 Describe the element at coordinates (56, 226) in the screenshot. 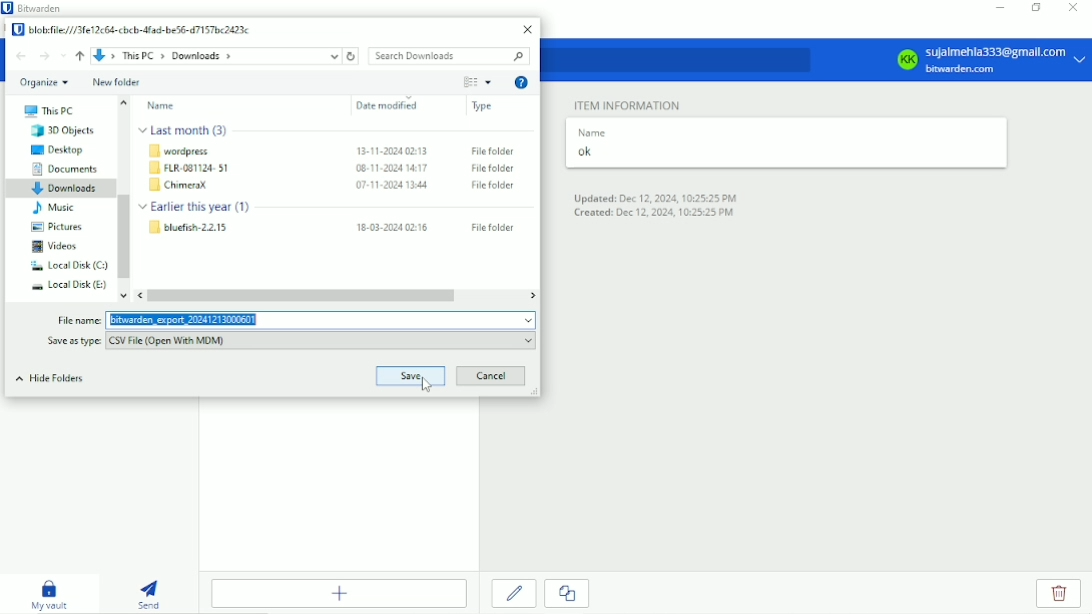

I see `Pictures` at that location.